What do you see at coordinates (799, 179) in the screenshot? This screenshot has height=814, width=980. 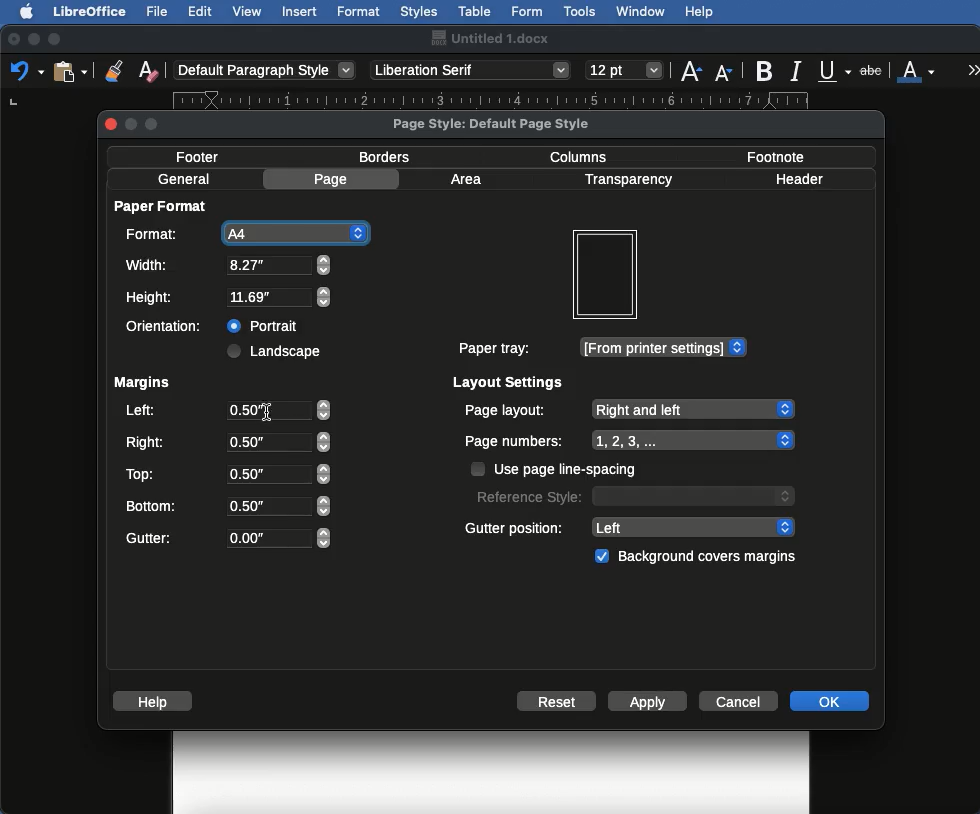 I see `Header` at bounding box center [799, 179].